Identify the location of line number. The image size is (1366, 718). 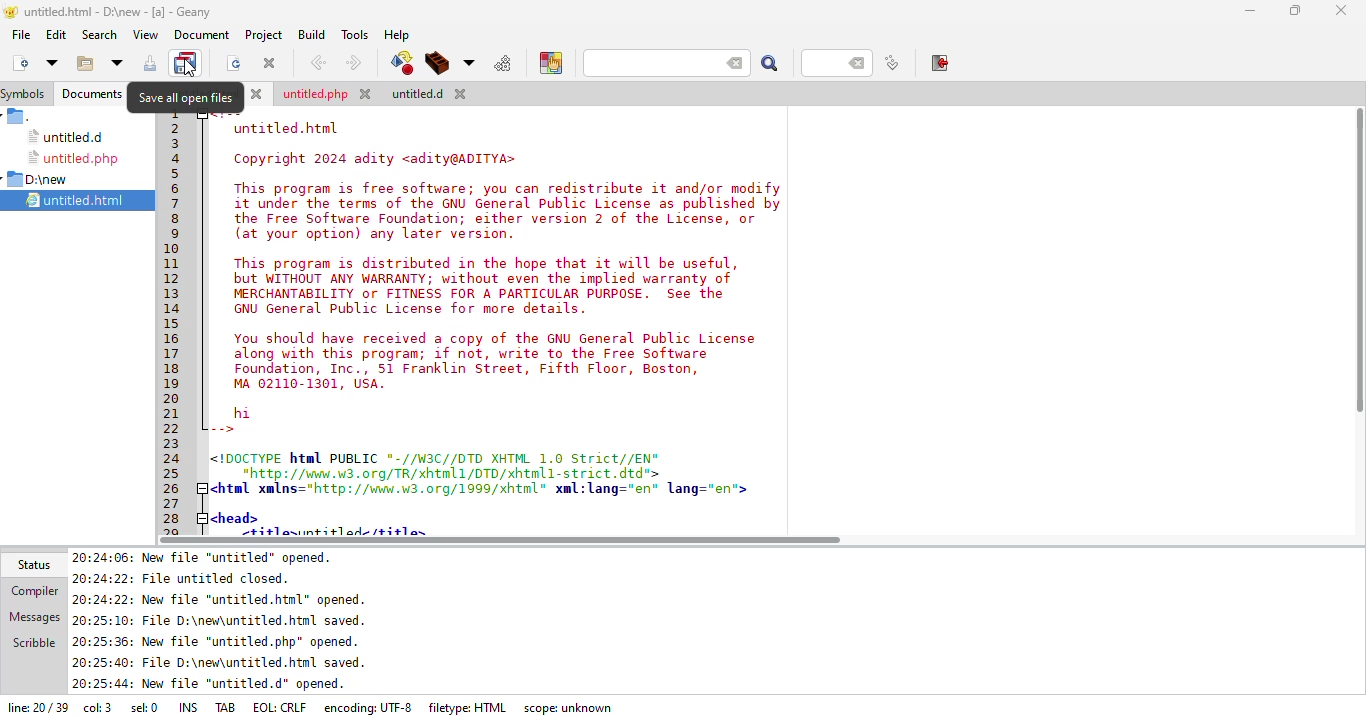
(839, 63).